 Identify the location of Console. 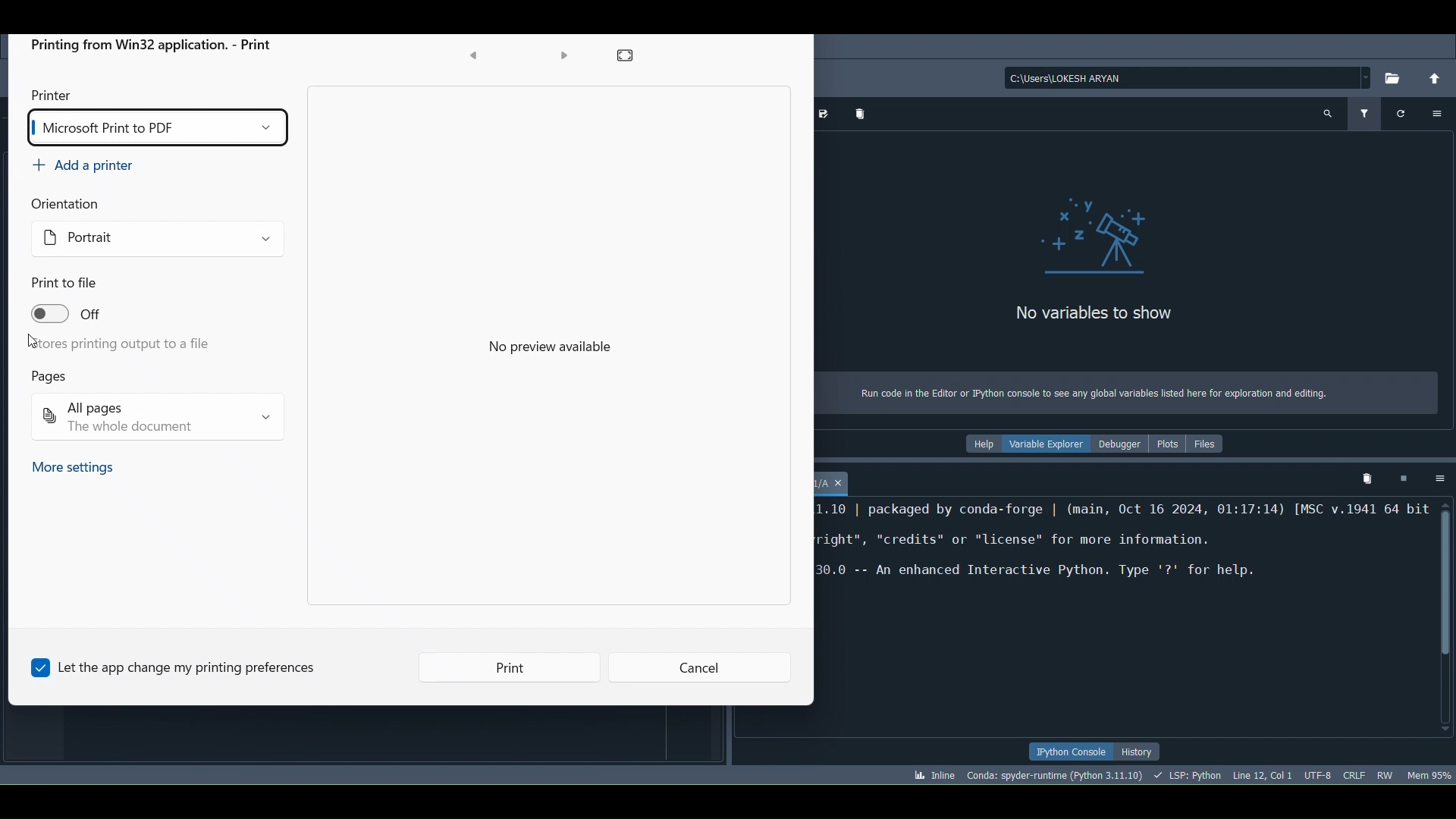
(839, 482).